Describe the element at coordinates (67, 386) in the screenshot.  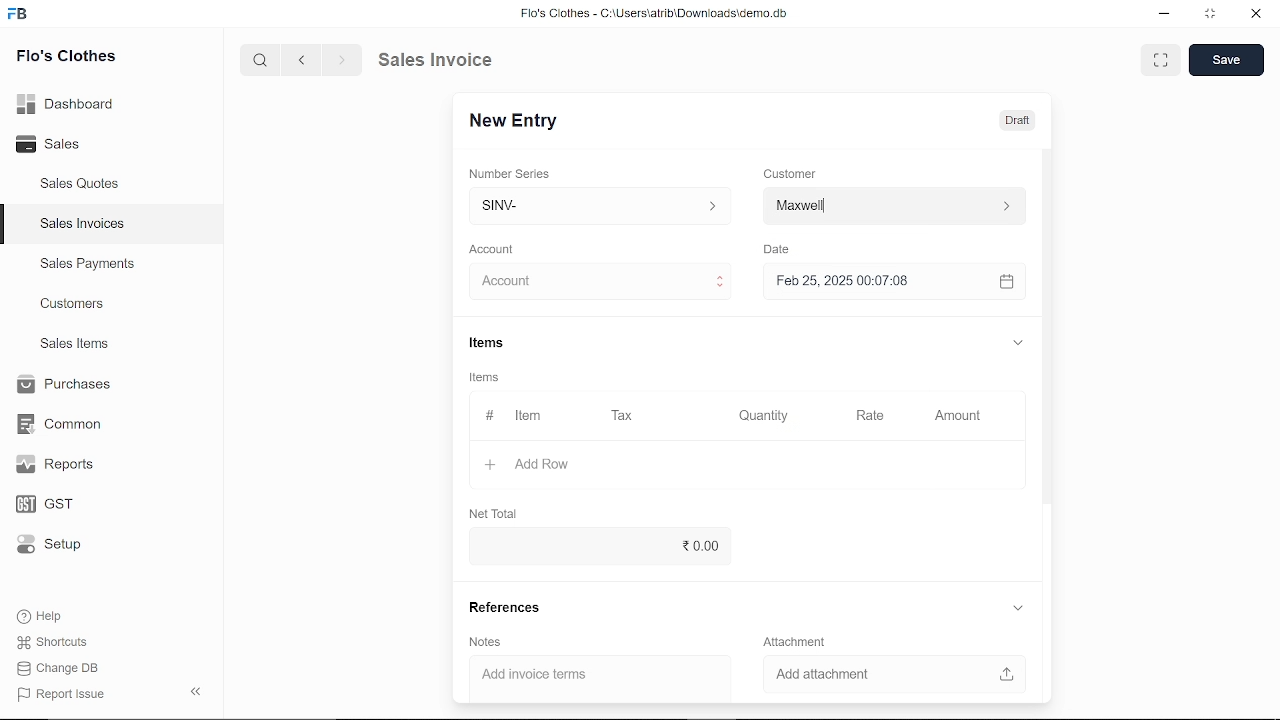
I see `Purchases` at that location.